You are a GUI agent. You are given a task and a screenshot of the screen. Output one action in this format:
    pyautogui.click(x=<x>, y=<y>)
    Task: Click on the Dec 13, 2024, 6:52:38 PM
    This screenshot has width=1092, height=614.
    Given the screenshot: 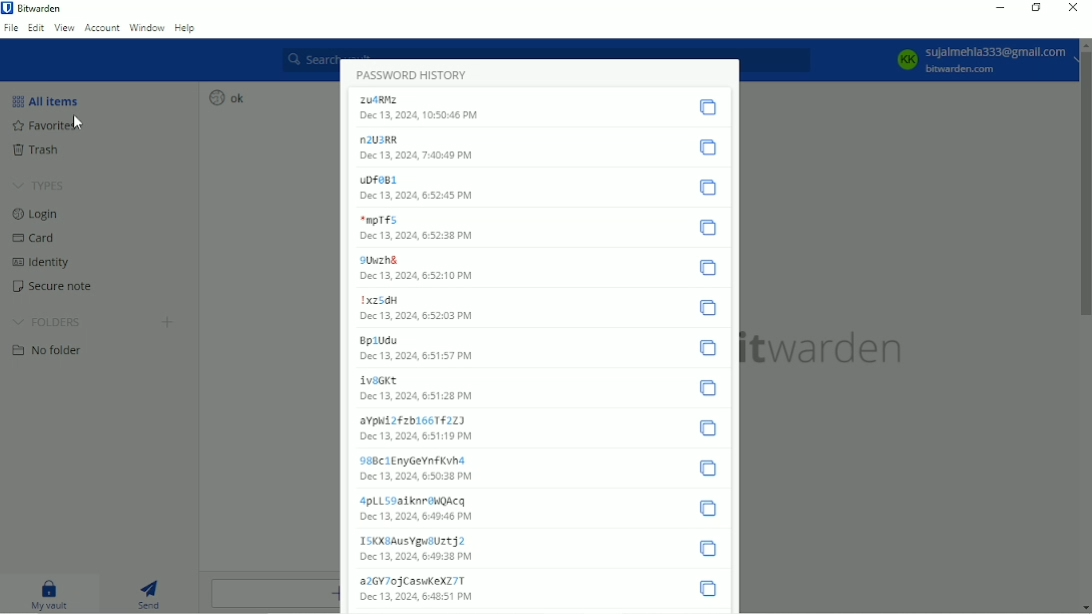 What is the action you would take?
    pyautogui.click(x=416, y=238)
    